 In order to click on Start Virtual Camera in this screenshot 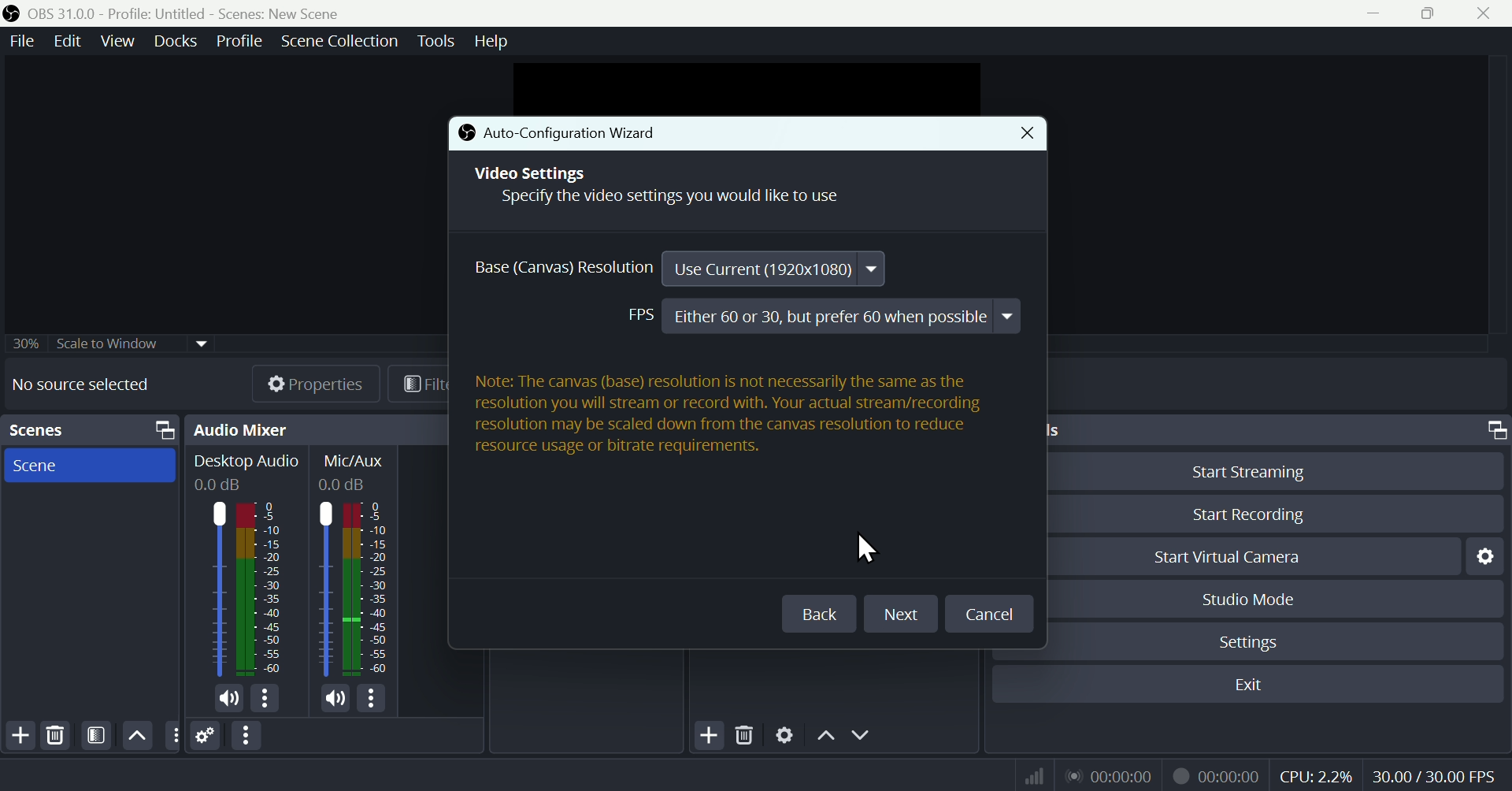, I will do `click(1250, 555)`.